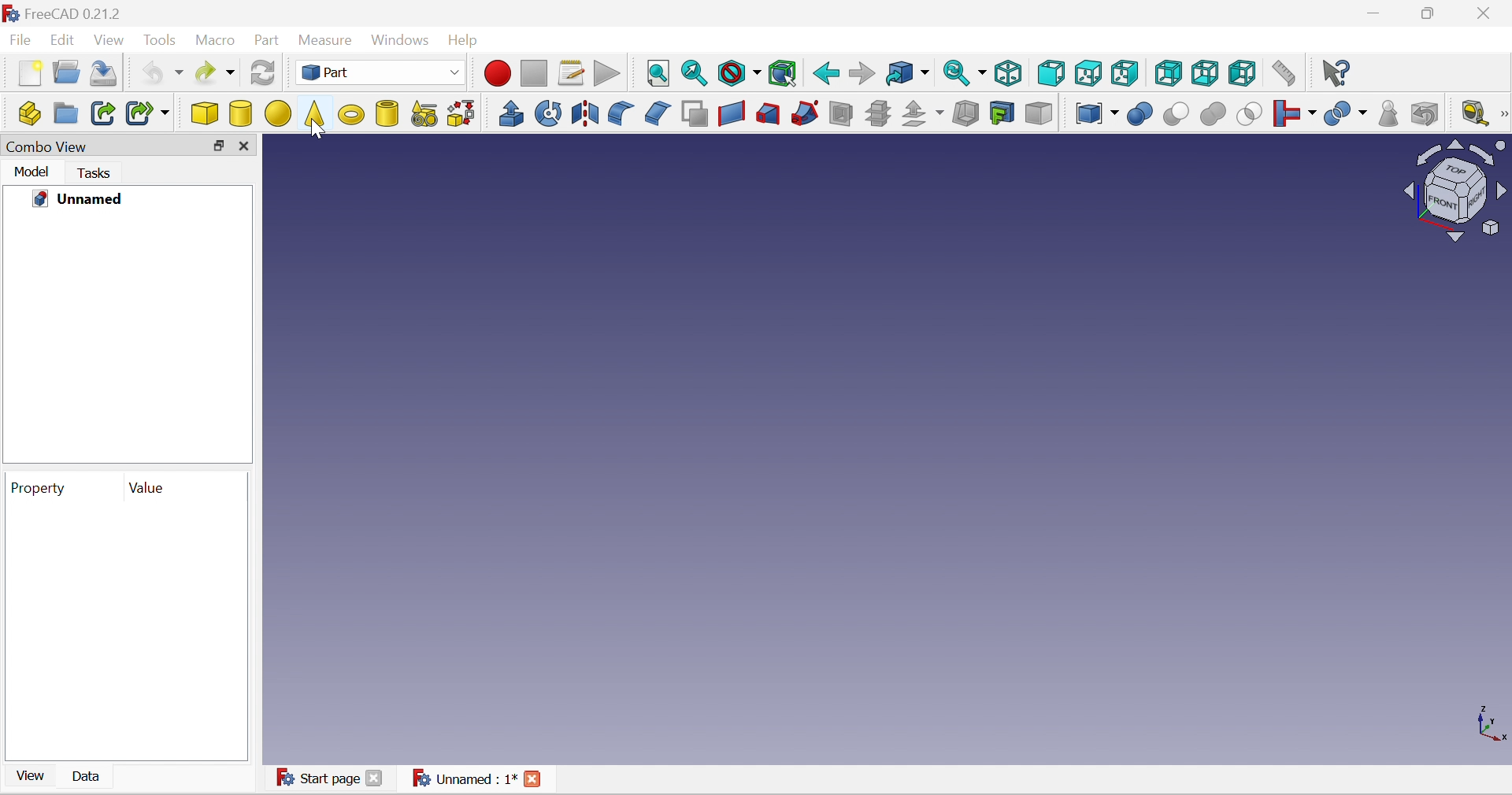 The height and width of the screenshot is (795, 1512). I want to click on Bounding box, so click(783, 72).